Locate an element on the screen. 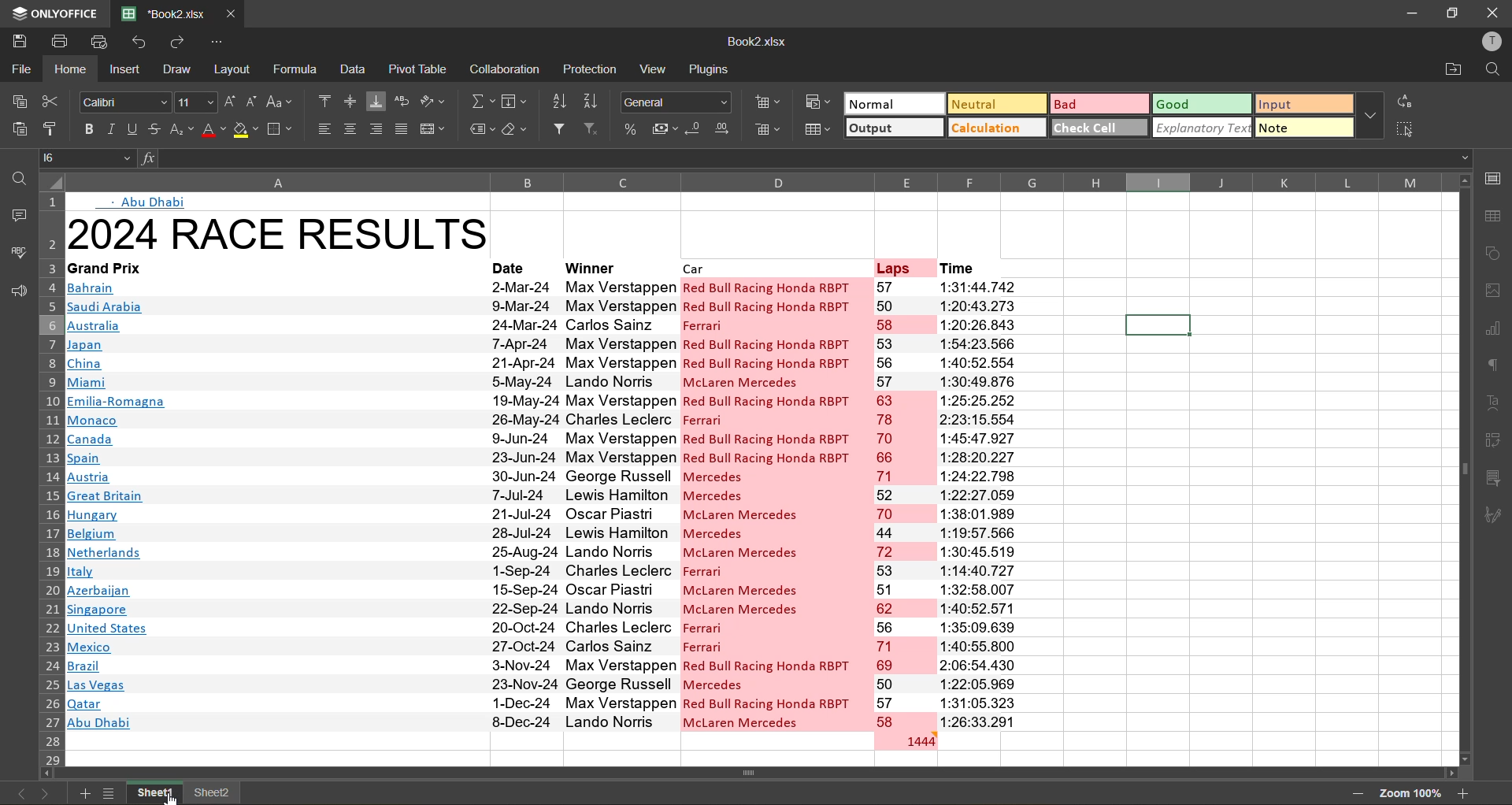 Image resolution: width=1512 pixels, height=805 pixels. time is located at coordinates (975, 503).